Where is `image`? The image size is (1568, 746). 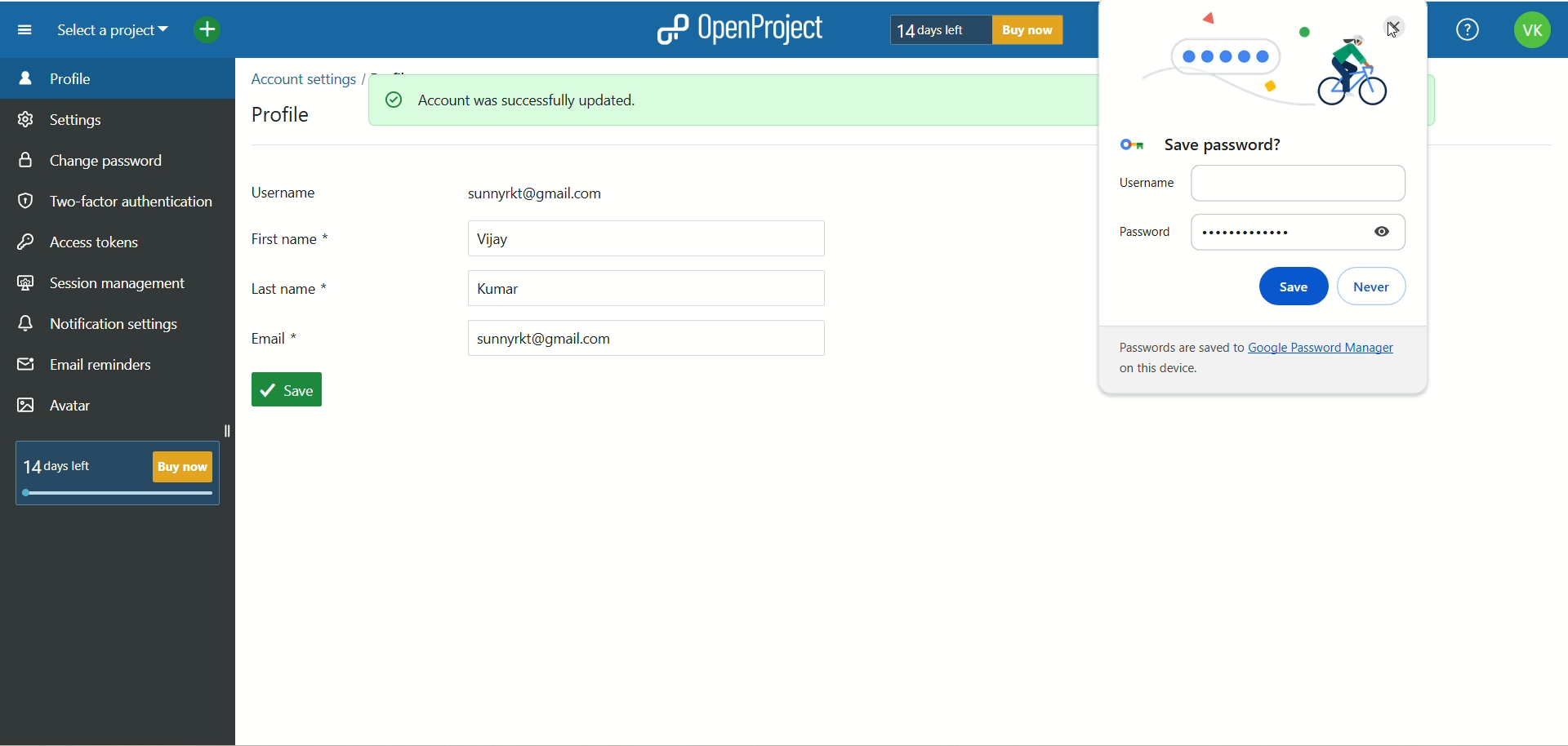 image is located at coordinates (1258, 73).